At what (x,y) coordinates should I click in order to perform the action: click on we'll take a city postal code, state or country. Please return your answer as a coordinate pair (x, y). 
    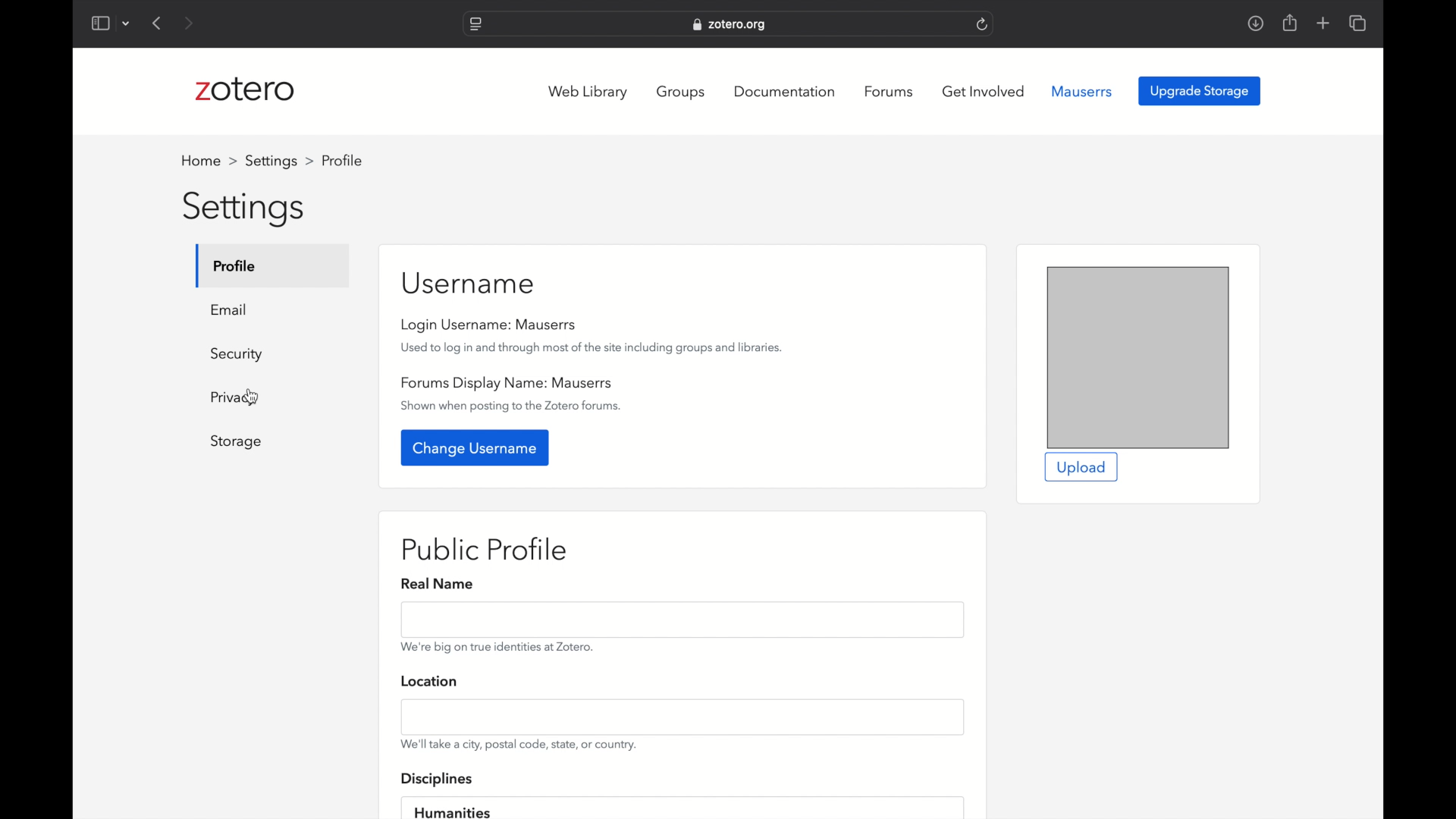
    Looking at the image, I should click on (519, 744).